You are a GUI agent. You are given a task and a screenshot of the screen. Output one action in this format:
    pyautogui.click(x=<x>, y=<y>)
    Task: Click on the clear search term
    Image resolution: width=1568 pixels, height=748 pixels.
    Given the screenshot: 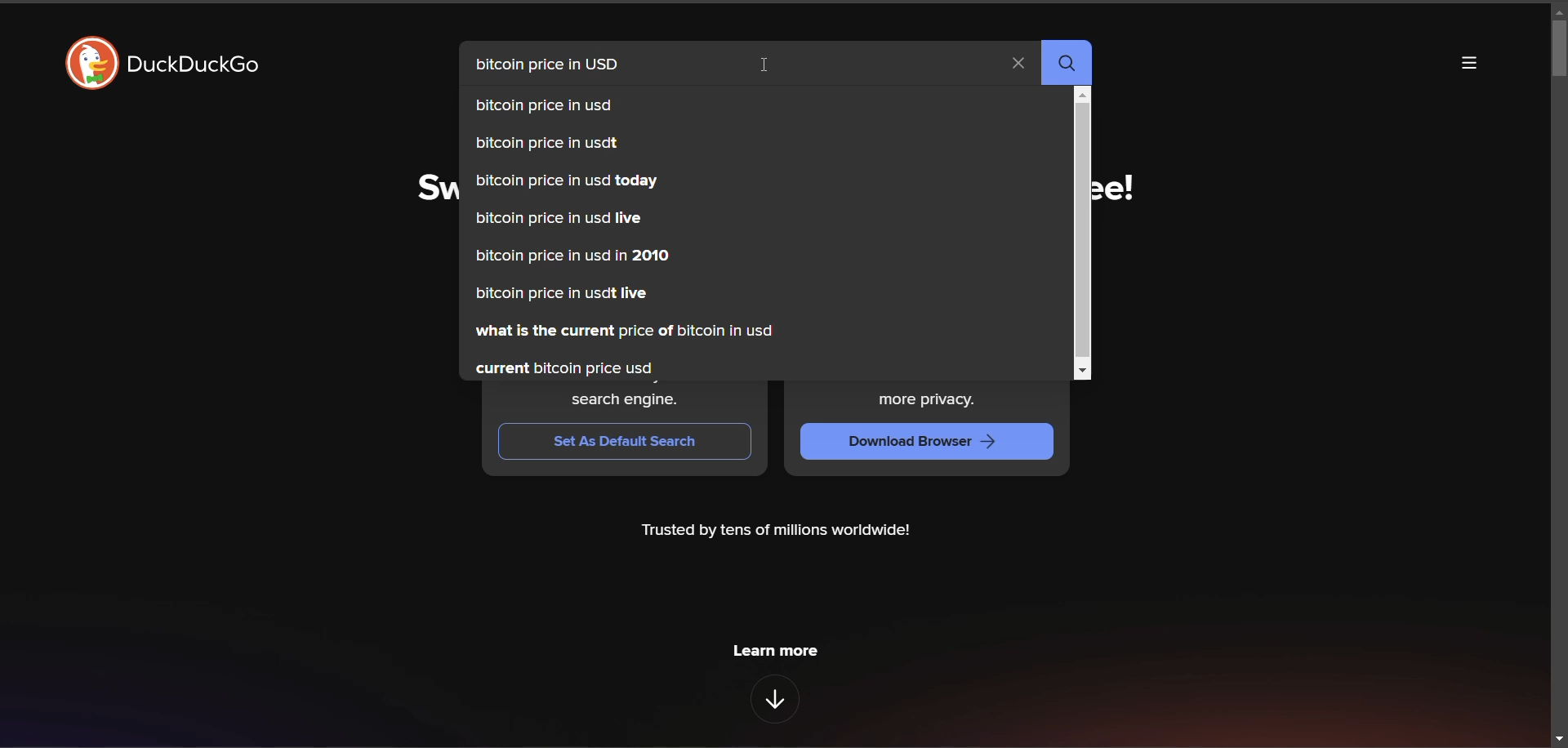 What is the action you would take?
    pyautogui.click(x=1019, y=65)
    